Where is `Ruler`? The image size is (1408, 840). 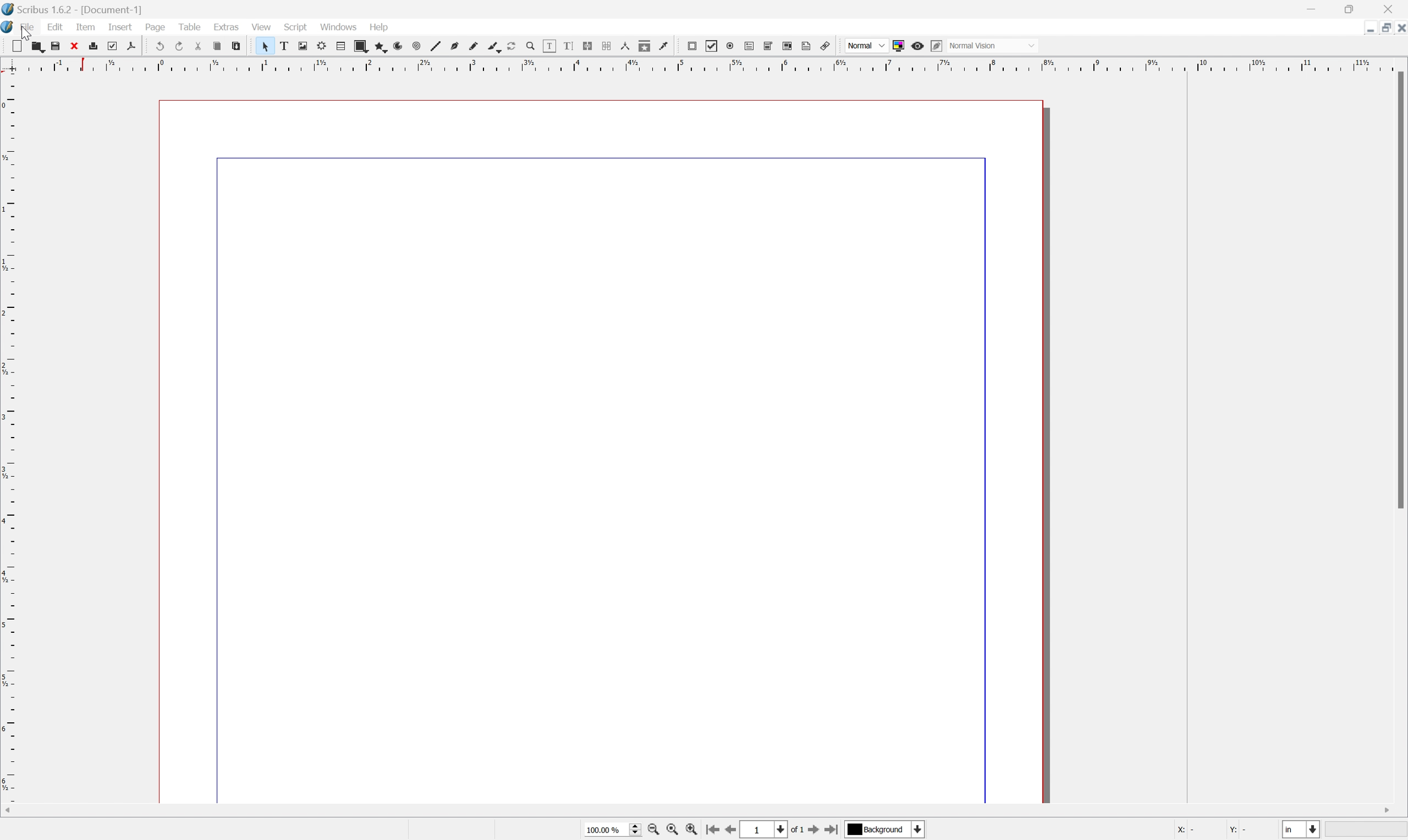 Ruler is located at coordinates (700, 64).